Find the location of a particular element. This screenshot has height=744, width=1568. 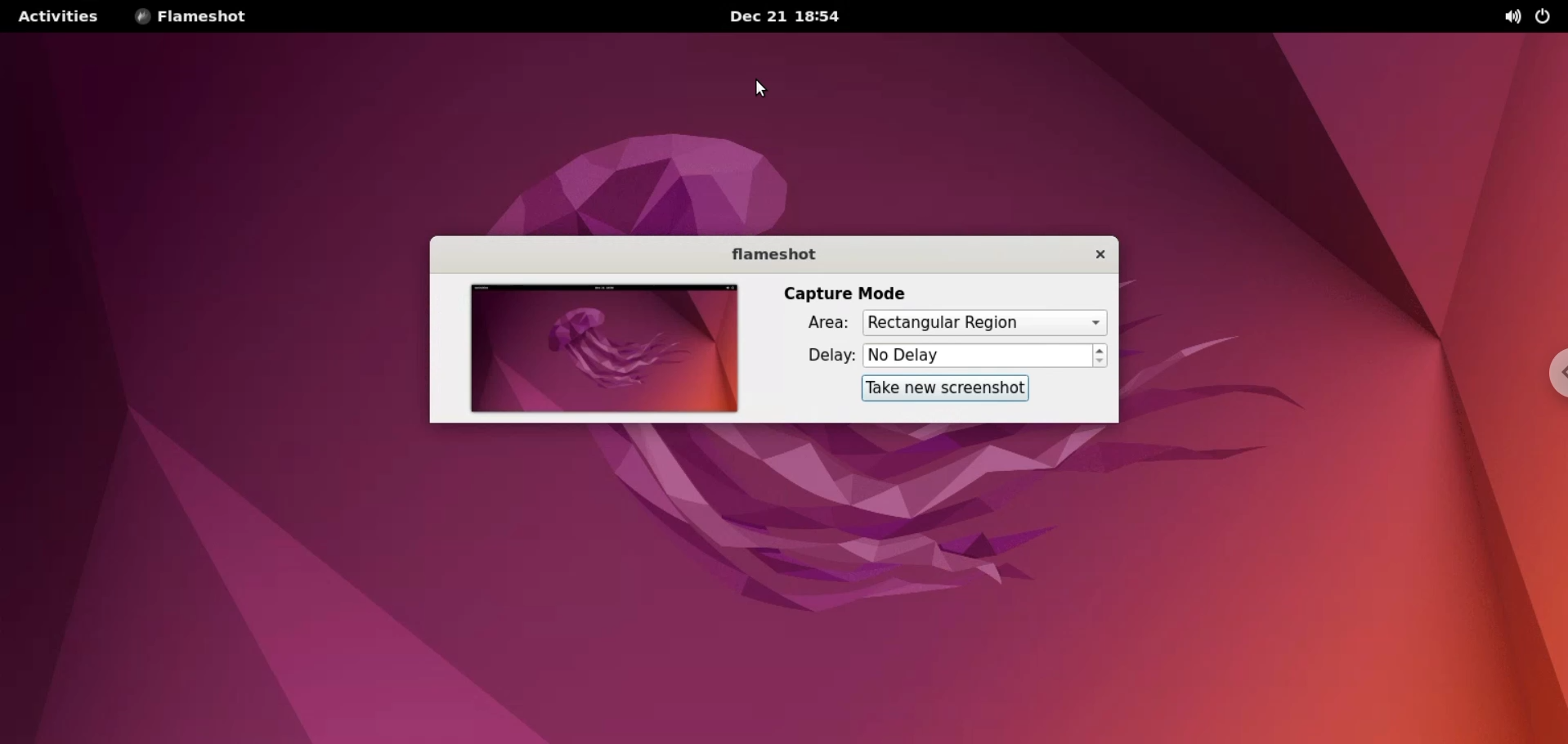

screenshot preview is located at coordinates (599, 350).